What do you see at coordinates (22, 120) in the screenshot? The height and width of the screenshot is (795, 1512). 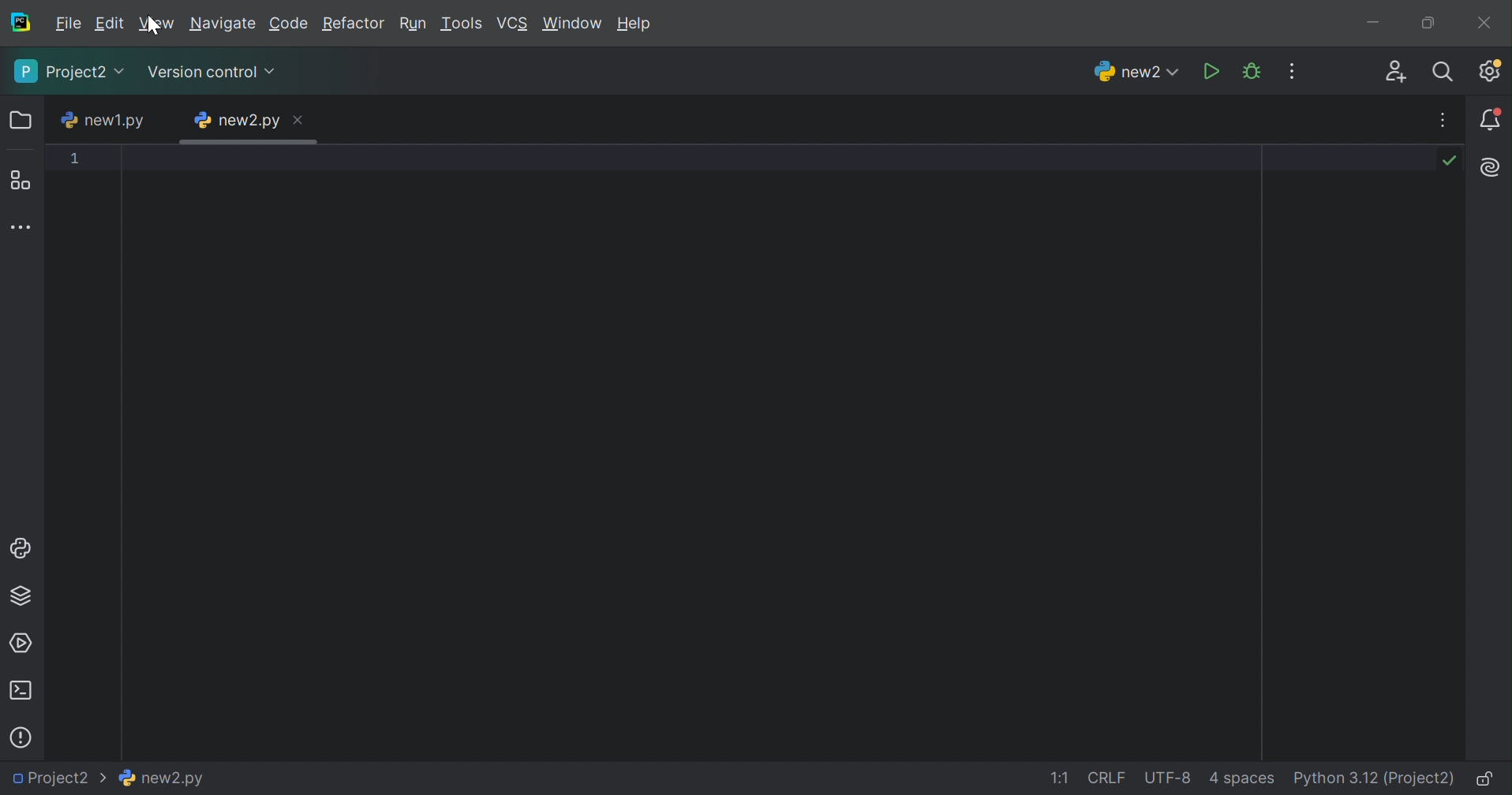 I see `` at bounding box center [22, 120].